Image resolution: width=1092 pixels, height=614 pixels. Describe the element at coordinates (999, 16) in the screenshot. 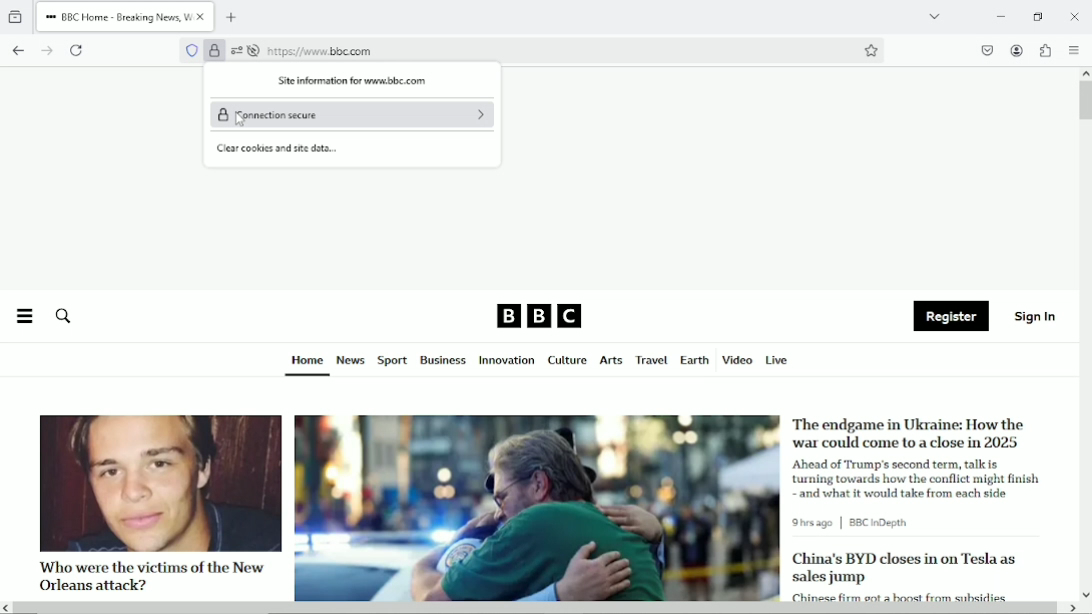

I see `Minimize` at that location.